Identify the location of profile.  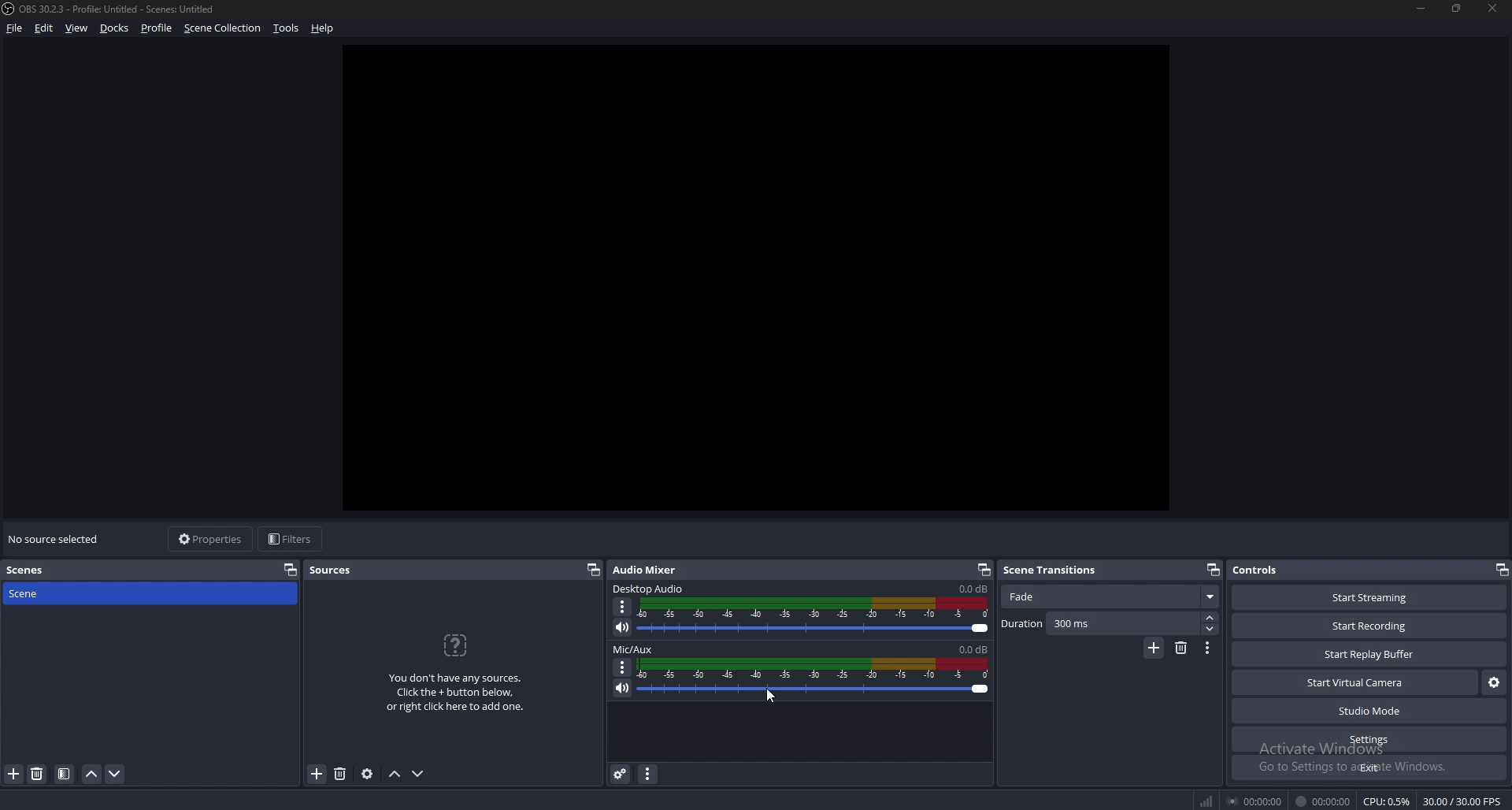
(159, 28).